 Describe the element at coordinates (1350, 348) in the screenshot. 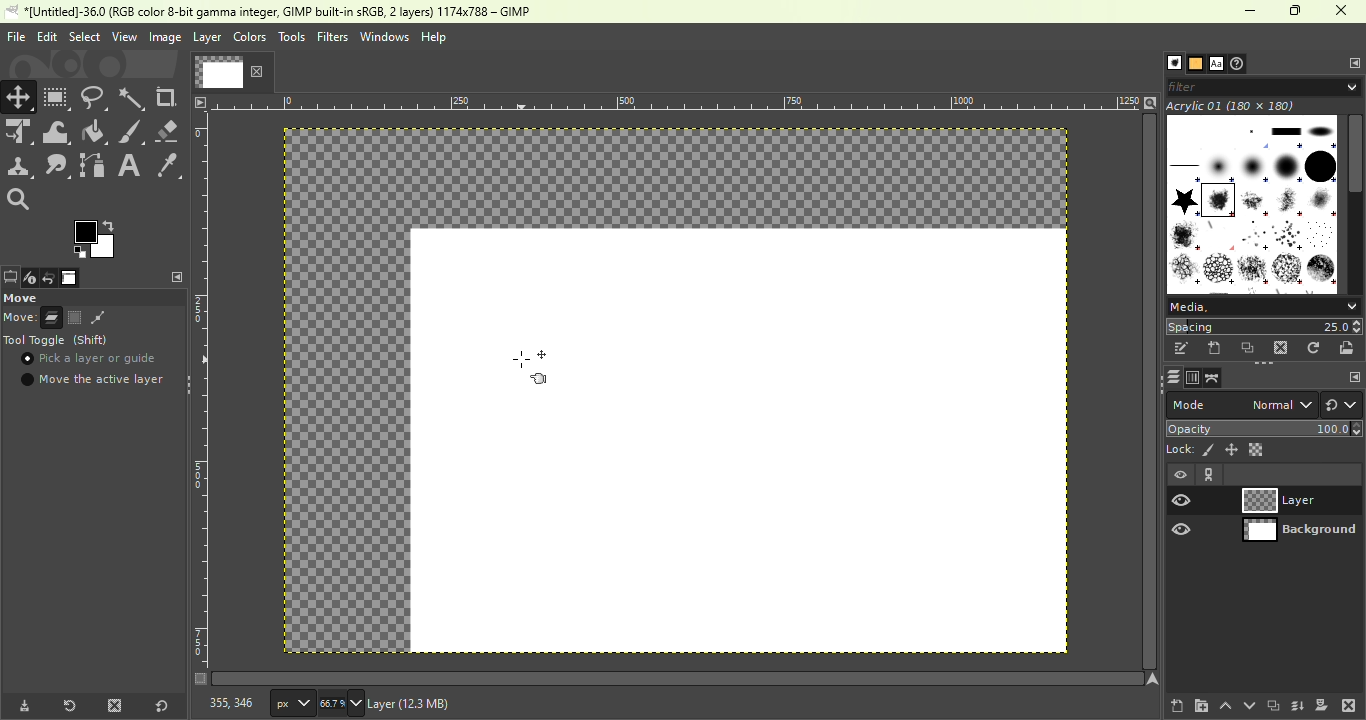

I see `Open brush as image` at that location.